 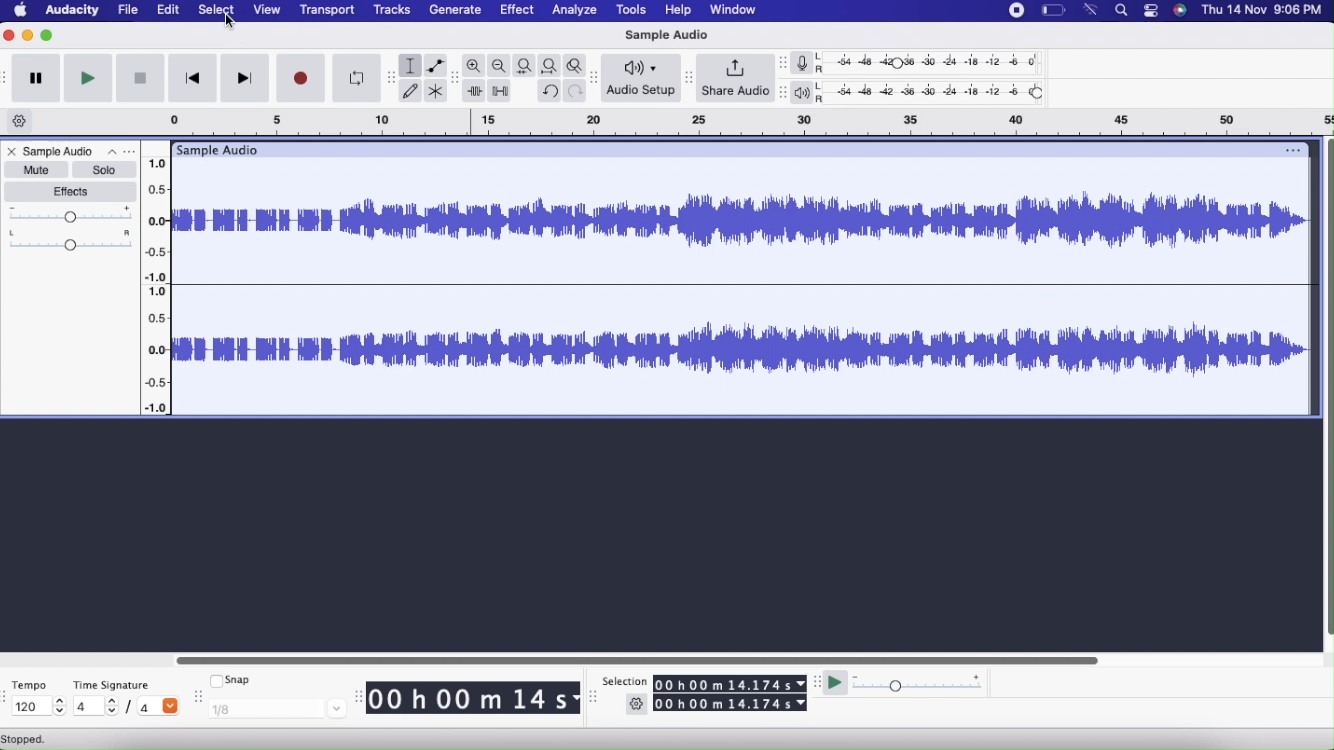 What do you see at coordinates (157, 282) in the screenshot?
I see `Slider` at bounding box center [157, 282].